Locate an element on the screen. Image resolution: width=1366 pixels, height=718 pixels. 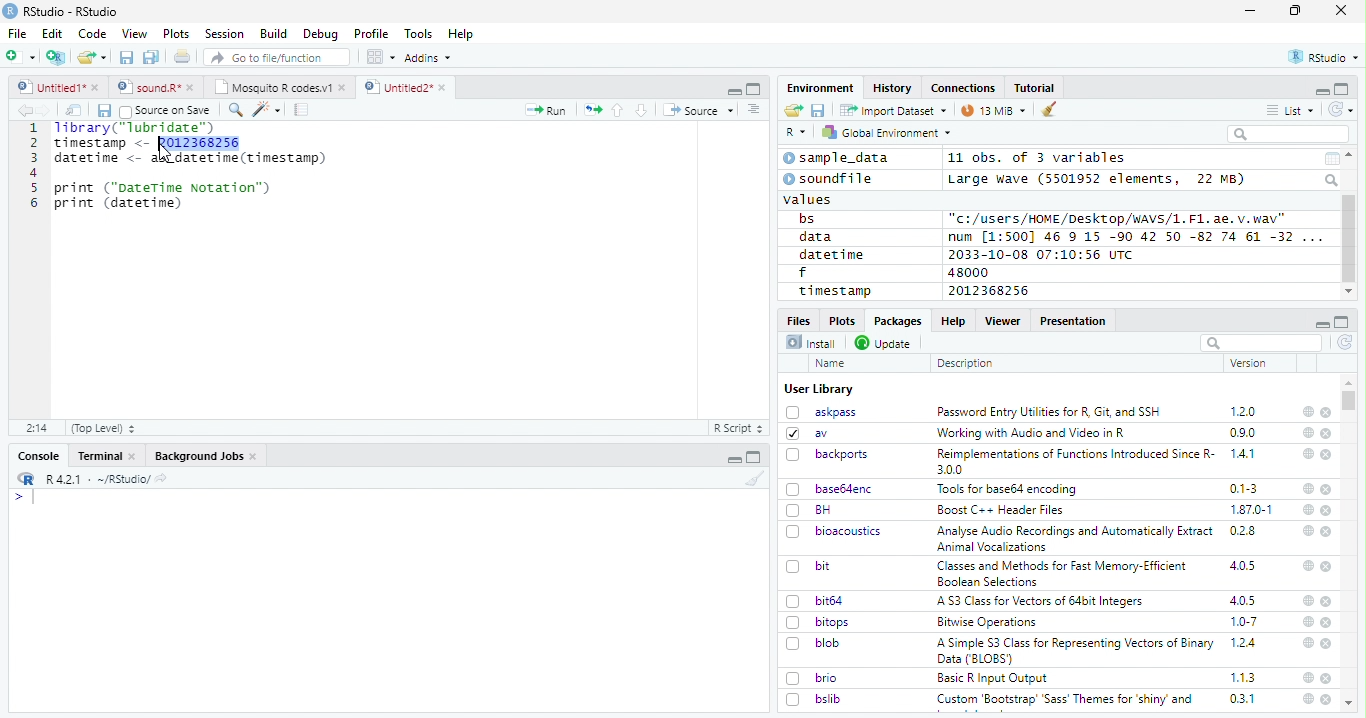
(Top Level) is located at coordinates (102, 428).